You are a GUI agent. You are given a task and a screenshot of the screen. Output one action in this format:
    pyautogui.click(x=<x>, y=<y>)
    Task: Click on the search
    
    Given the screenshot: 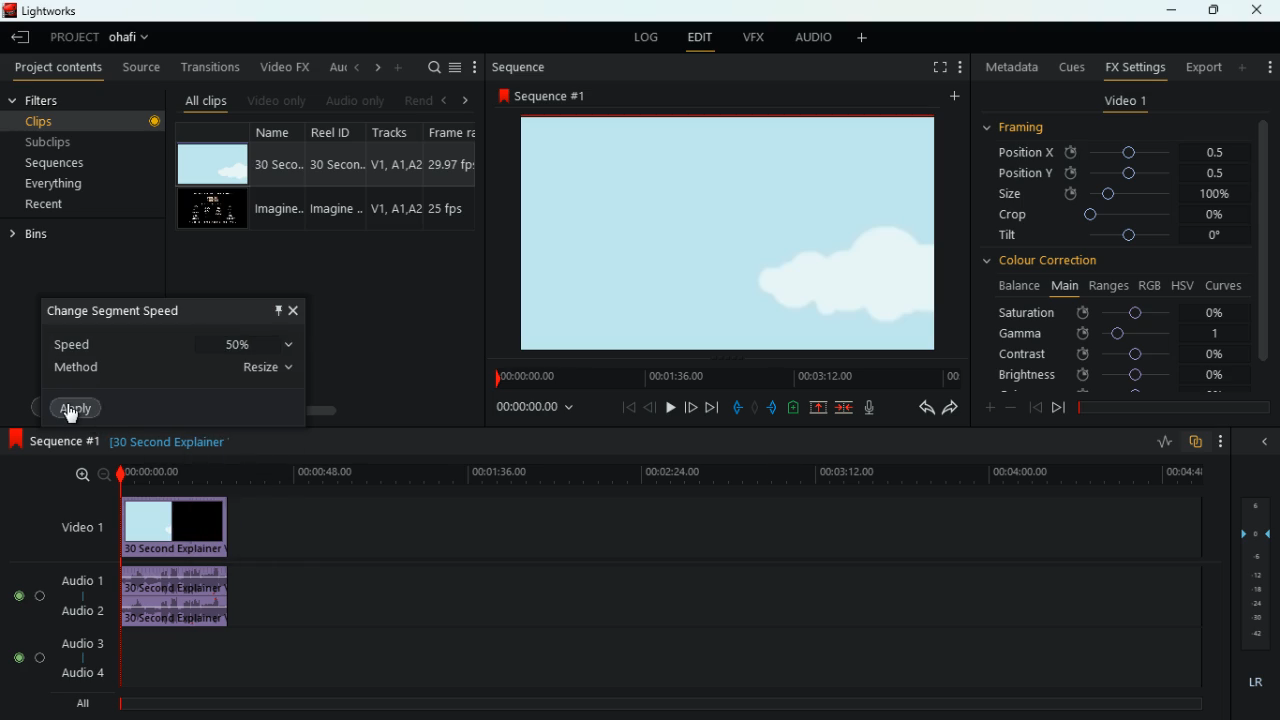 What is the action you would take?
    pyautogui.click(x=430, y=68)
    